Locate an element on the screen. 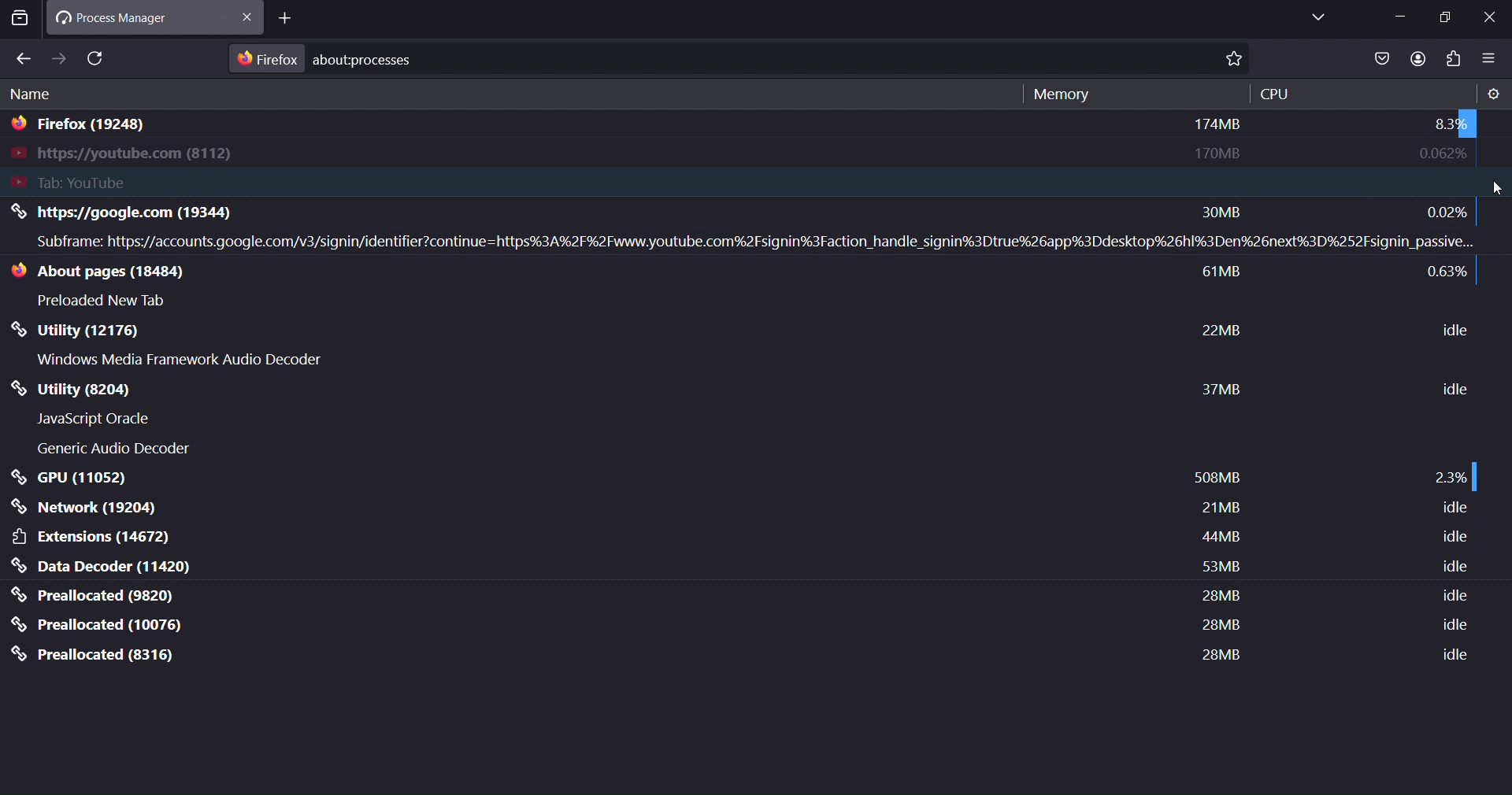 This screenshot has width=1512, height=795. reload is located at coordinates (98, 58).